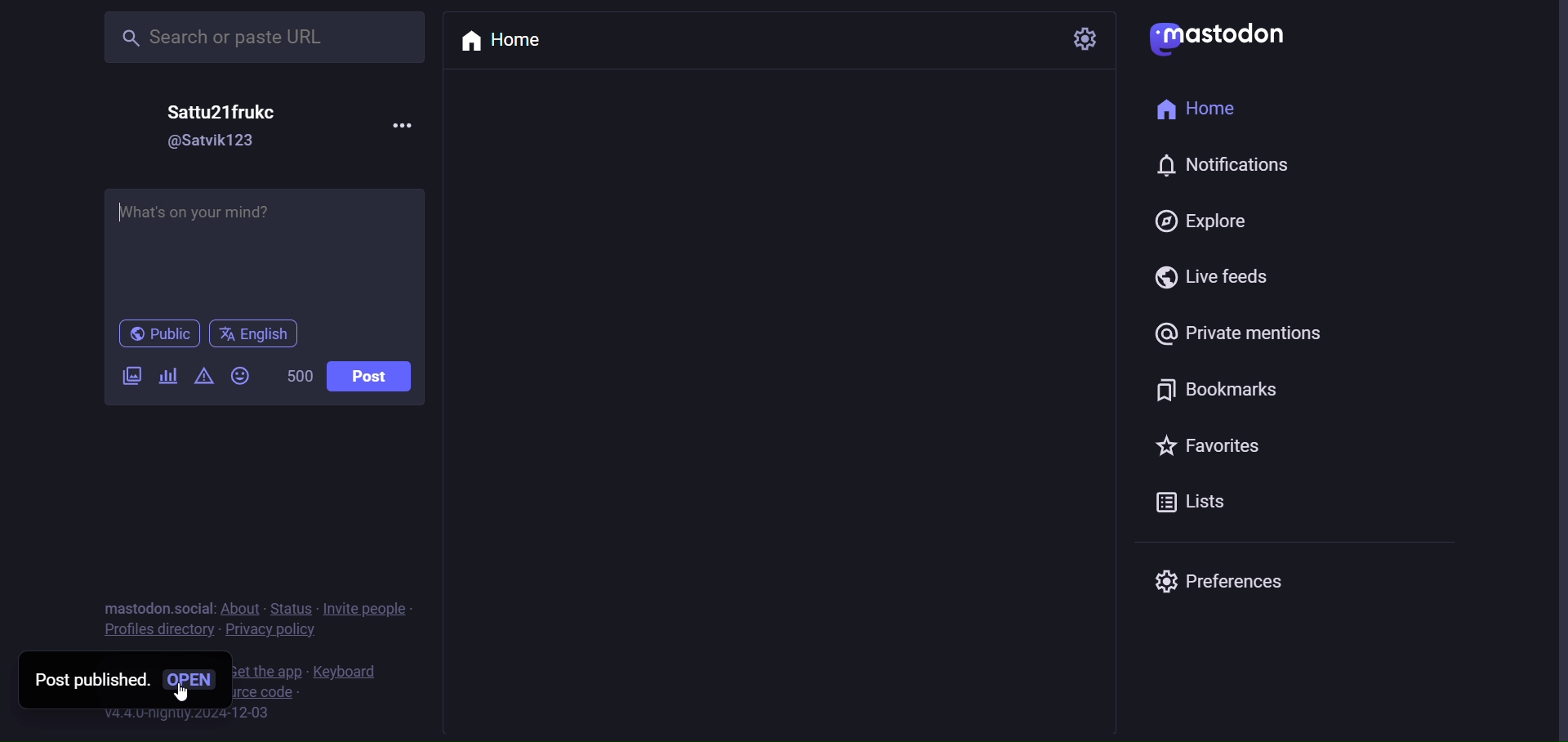 Image resolution: width=1568 pixels, height=742 pixels. What do you see at coordinates (195, 682) in the screenshot?
I see `open` at bounding box center [195, 682].